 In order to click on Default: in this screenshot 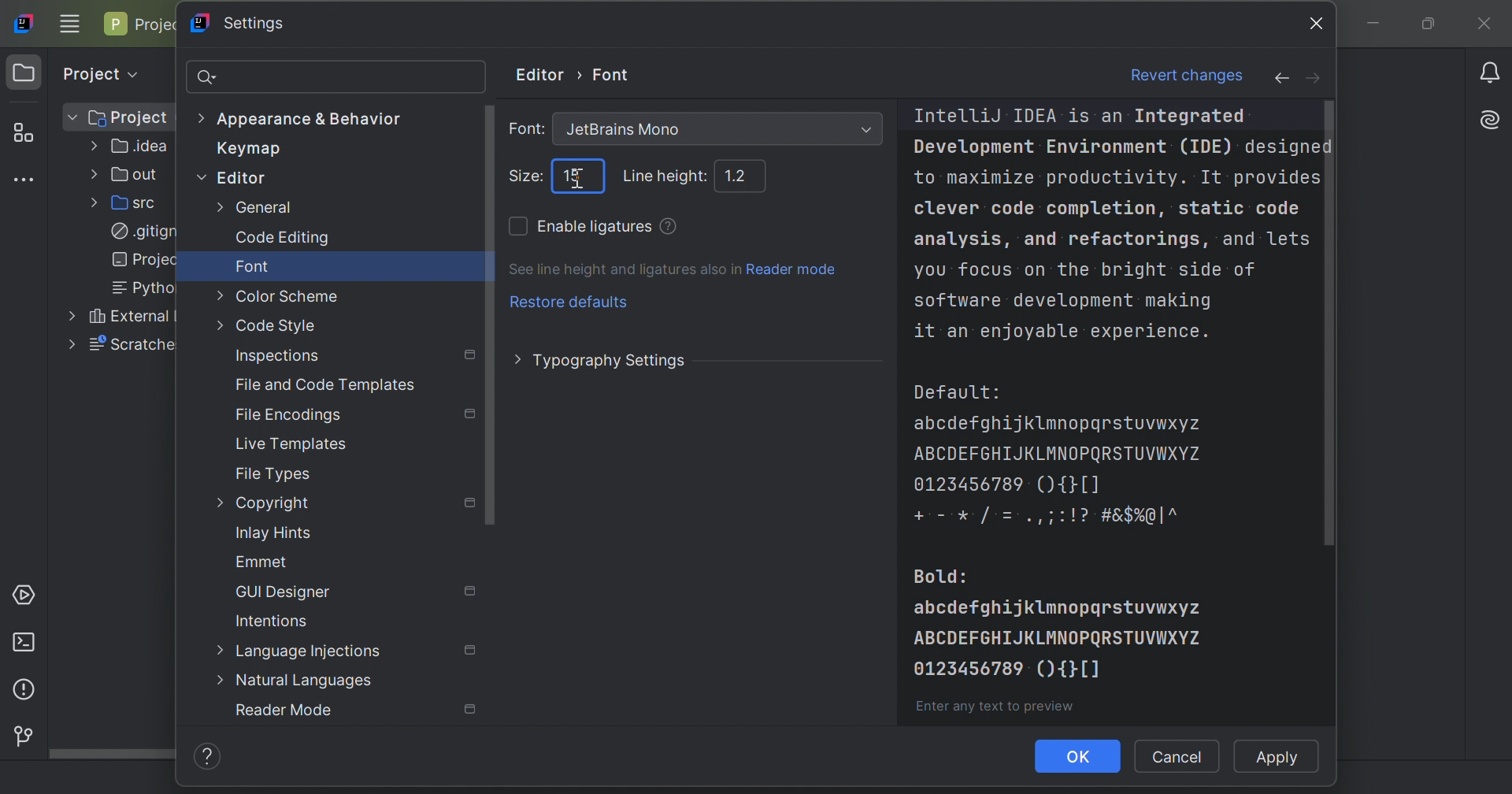, I will do `click(958, 391)`.